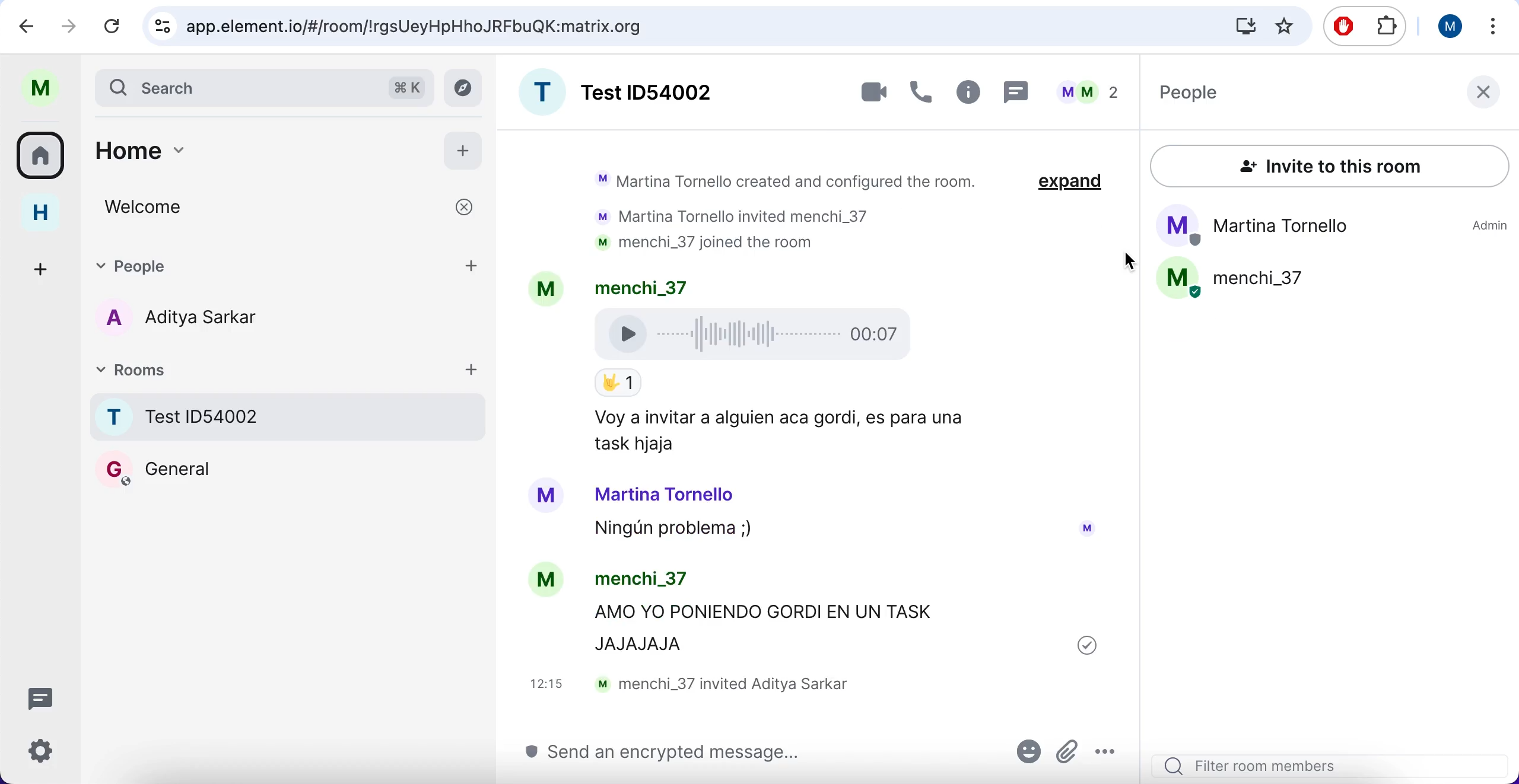 Image resolution: width=1519 pixels, height=784 pixels. I want to click on Martina Tornello, so click(669, 492).